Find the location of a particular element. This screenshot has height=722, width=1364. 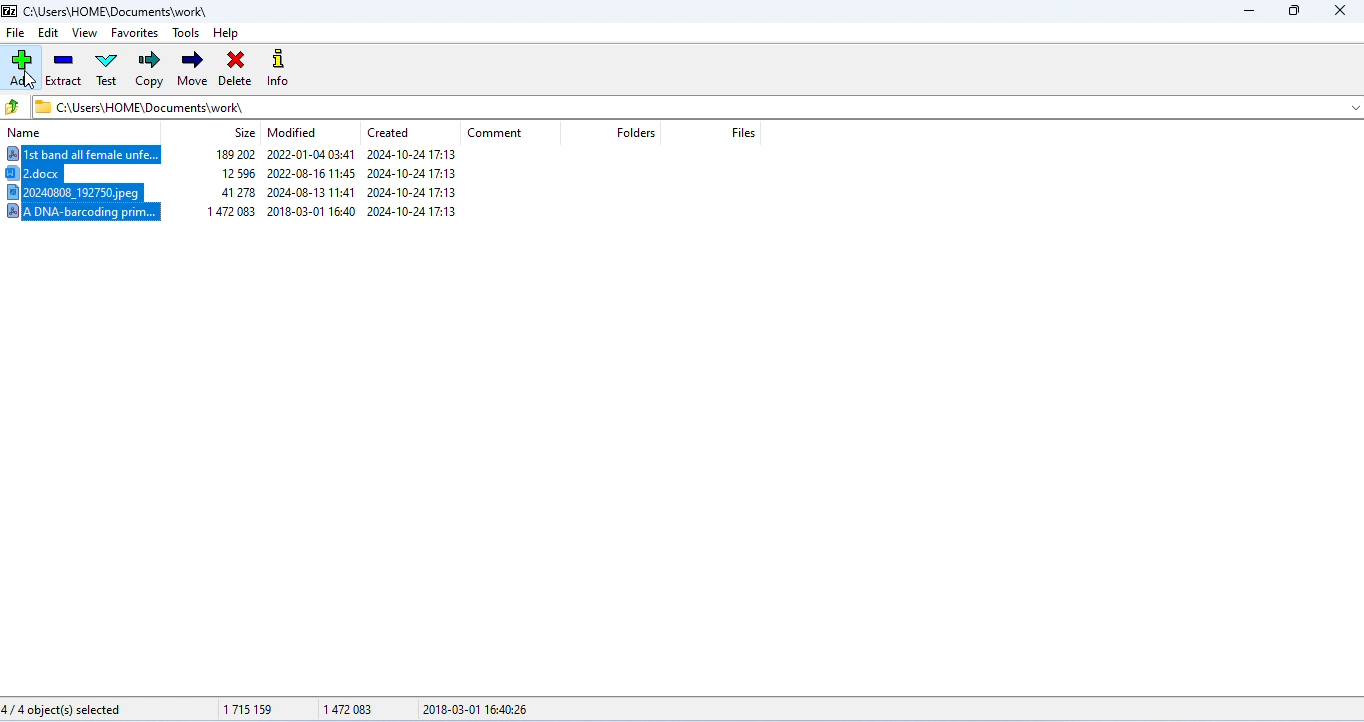

size is located at coordinates (244, 133).